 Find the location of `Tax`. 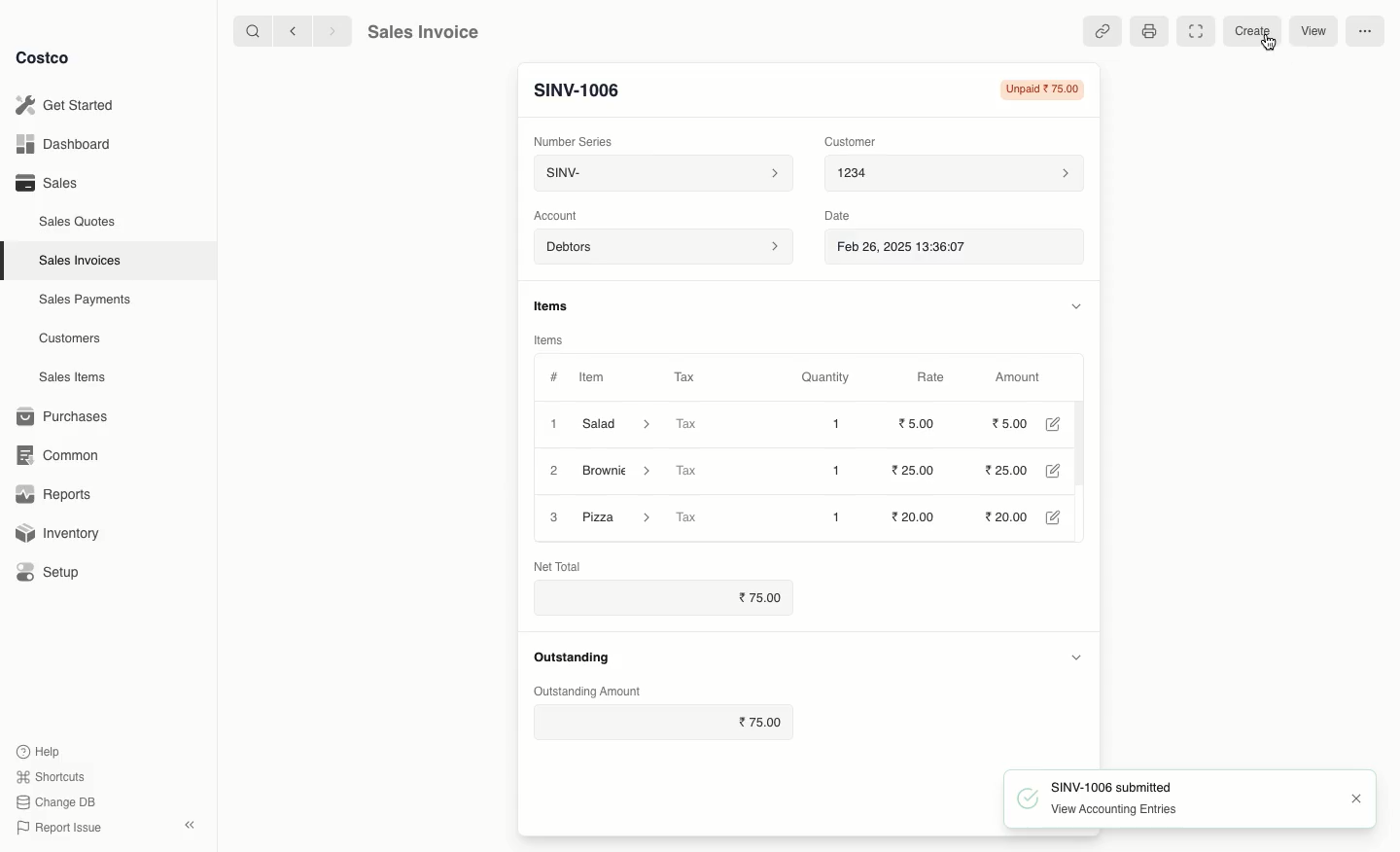

Tax is located at coordinates (714, 425).